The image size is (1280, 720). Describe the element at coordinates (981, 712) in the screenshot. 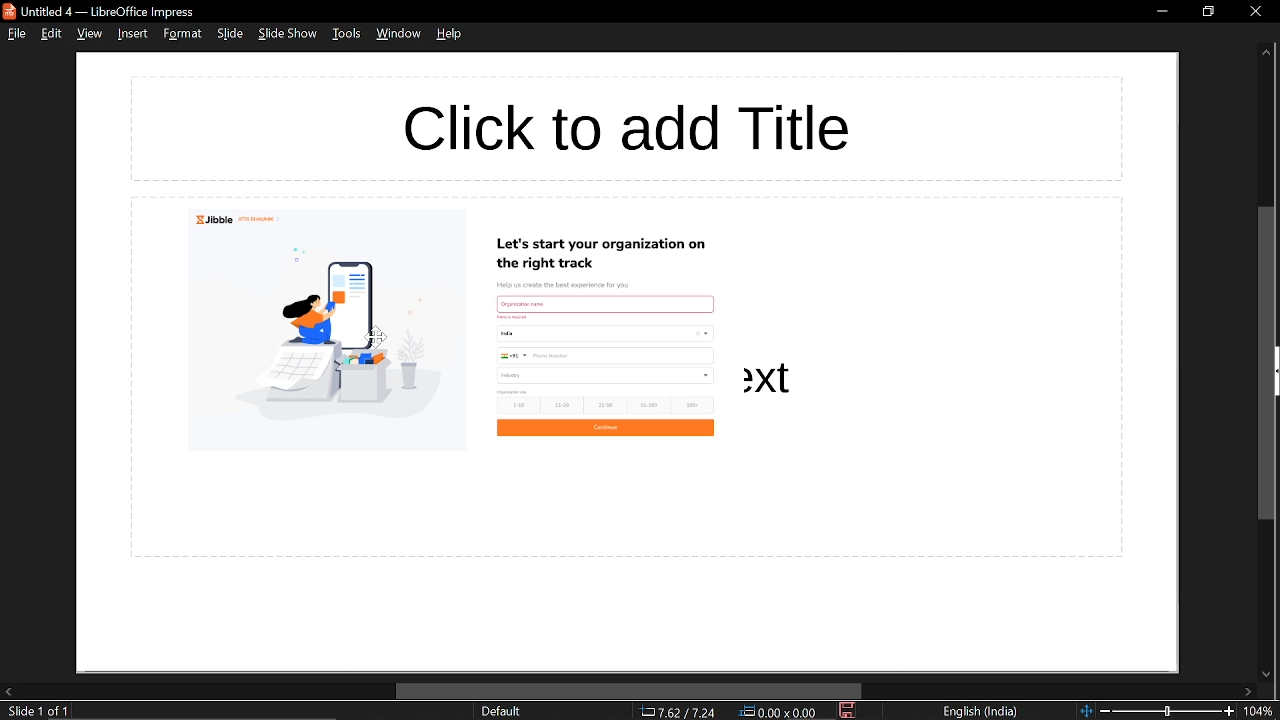

I see `language` at that location.